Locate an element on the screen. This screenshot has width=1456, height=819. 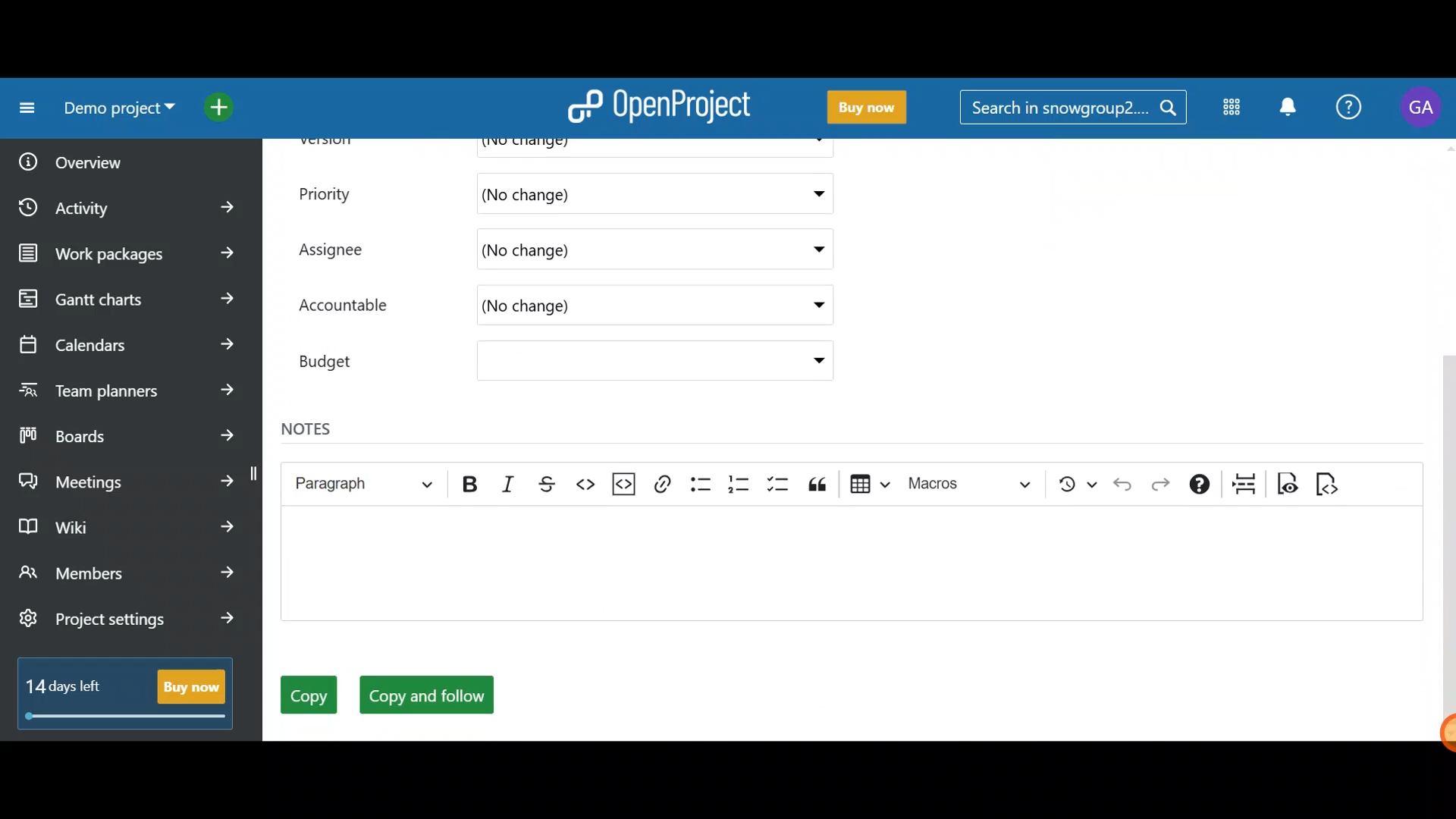
Bold is located at coordinates (473, 486).